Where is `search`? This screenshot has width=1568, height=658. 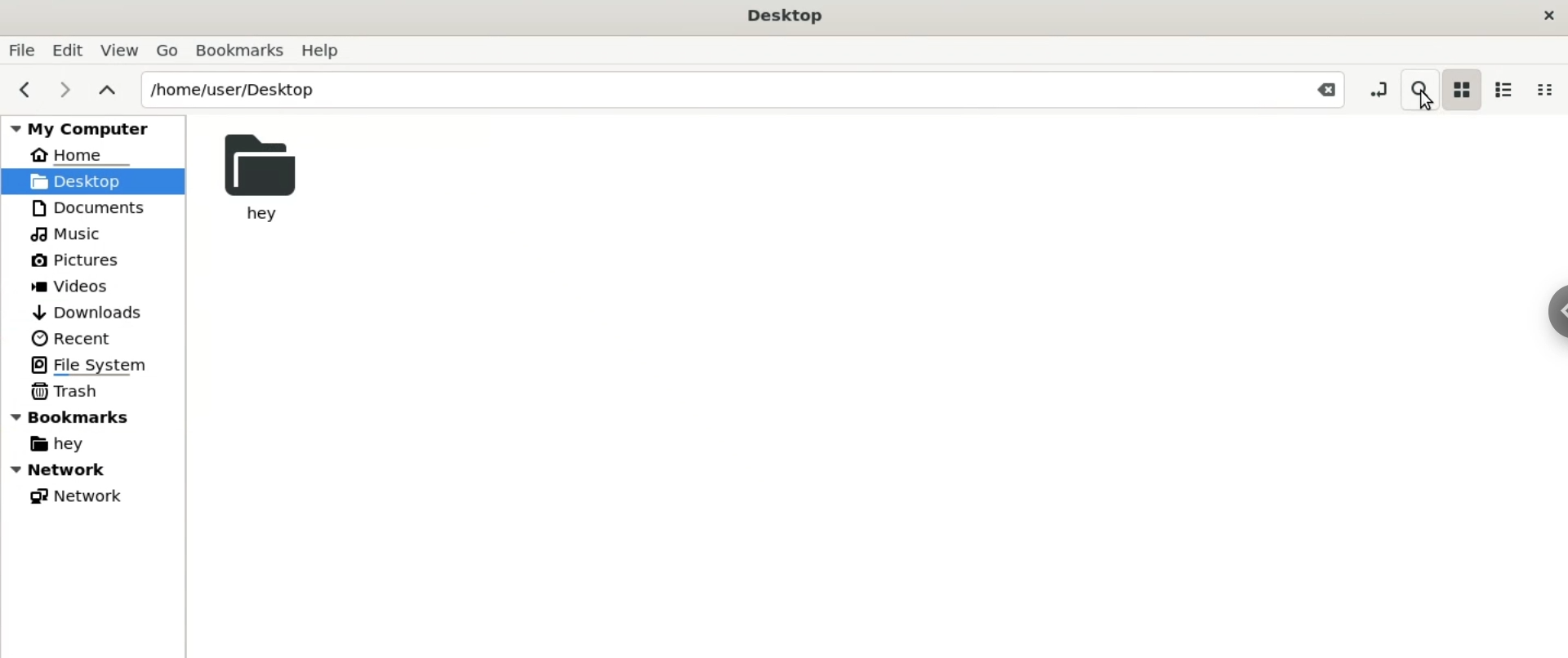 search is located at coordinates (1418, 88).